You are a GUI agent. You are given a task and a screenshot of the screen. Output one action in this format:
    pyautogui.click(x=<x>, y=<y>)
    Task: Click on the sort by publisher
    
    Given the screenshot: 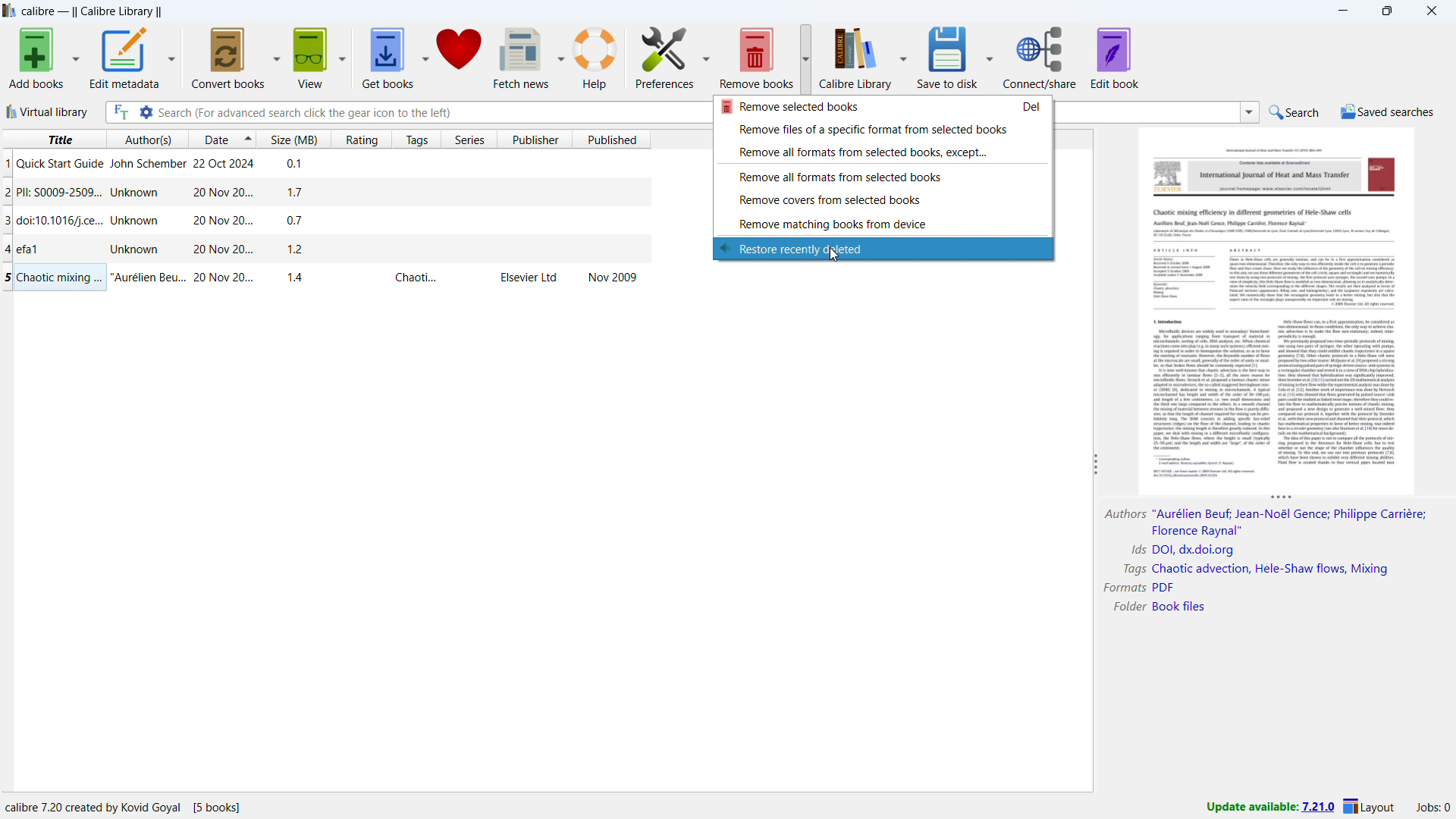 What is the action you would take?
    pyautogui.click(x=535, y=140)
    